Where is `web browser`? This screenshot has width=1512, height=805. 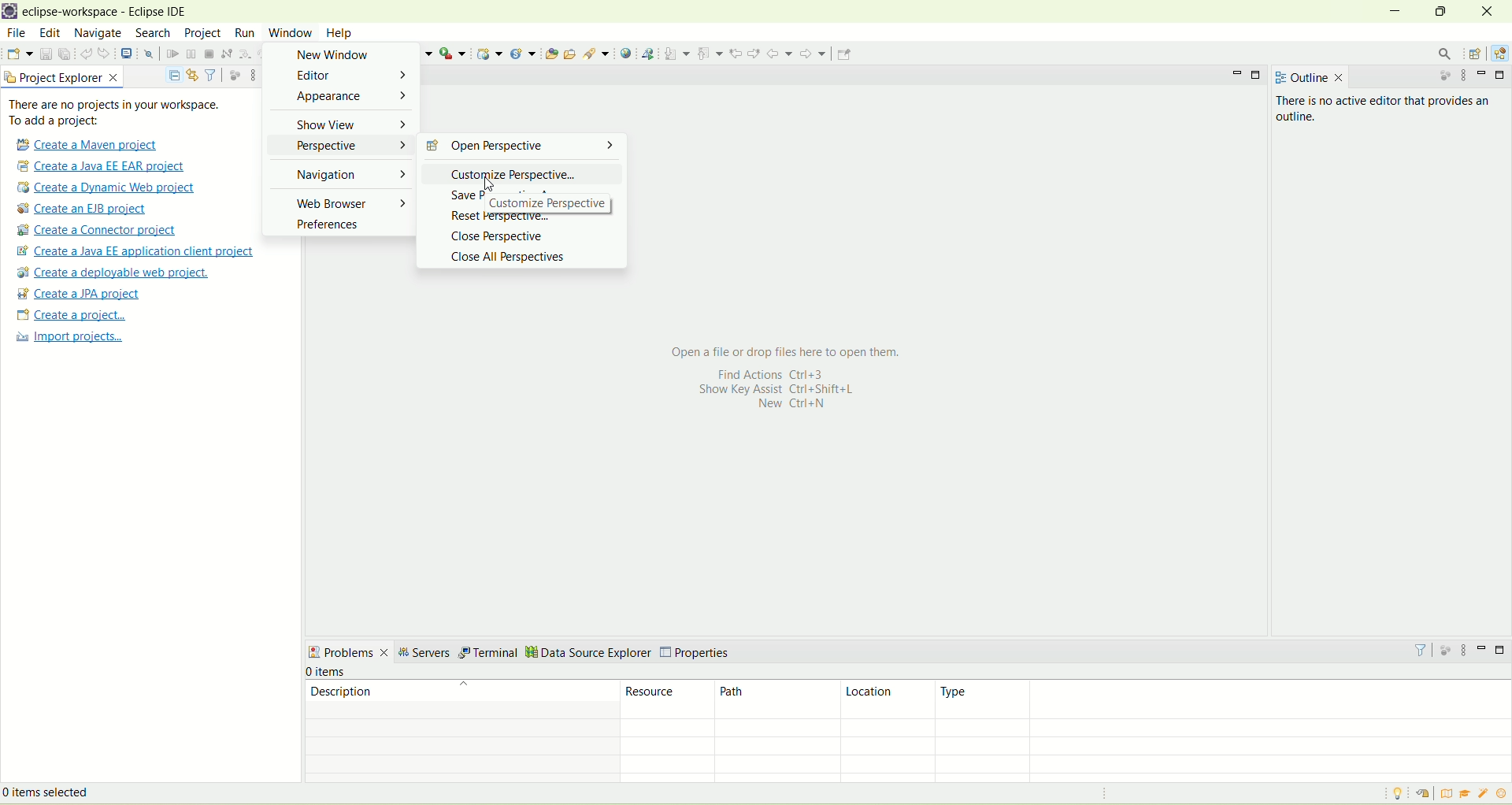 web browser is located at coordinates (347, 202).